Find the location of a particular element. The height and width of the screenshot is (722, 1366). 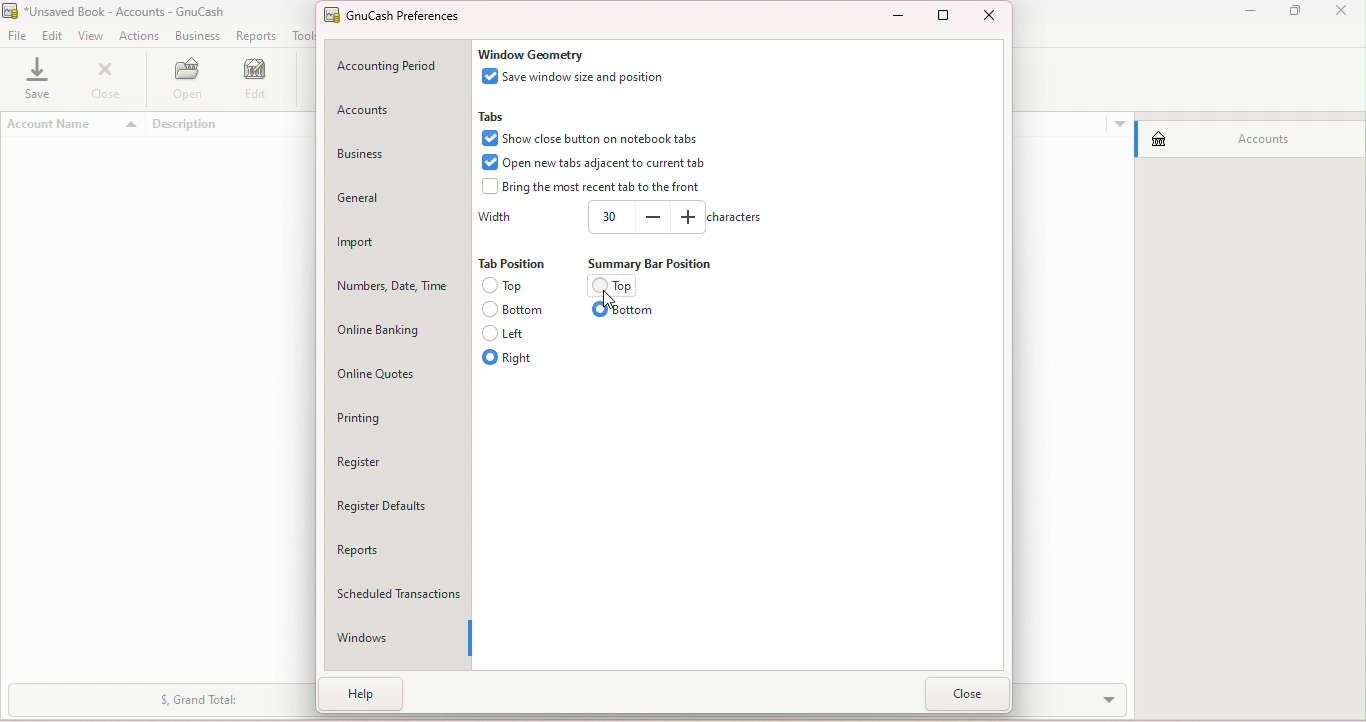

Left is located at coordinates (515, 333).